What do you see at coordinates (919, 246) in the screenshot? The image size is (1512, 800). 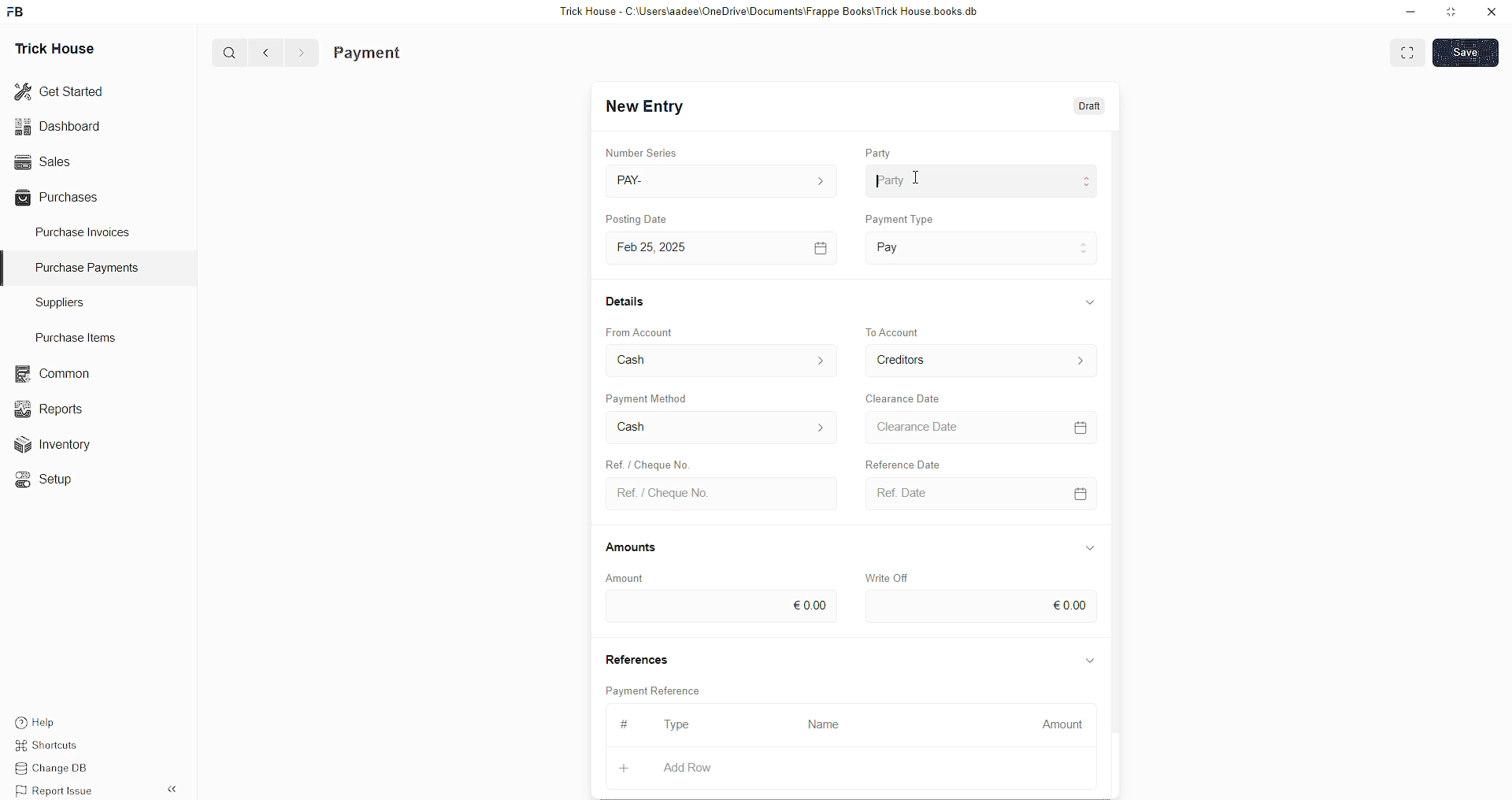 I see `Payment Type` at bounding box center [919, 246].